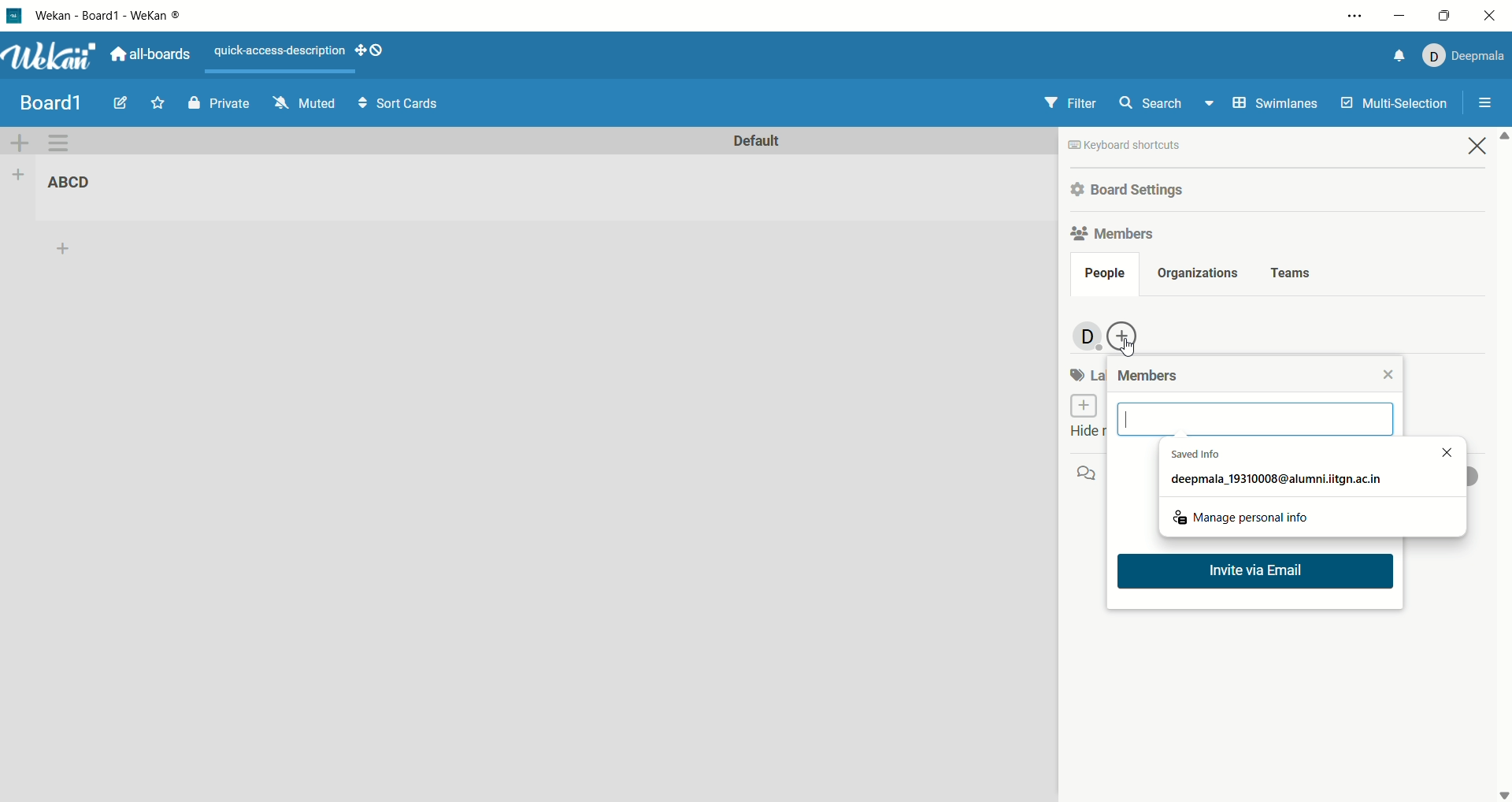  What do you see at coordinates (111, 15) in the screenshot?
I see `title` at bounding box center [111, 15].